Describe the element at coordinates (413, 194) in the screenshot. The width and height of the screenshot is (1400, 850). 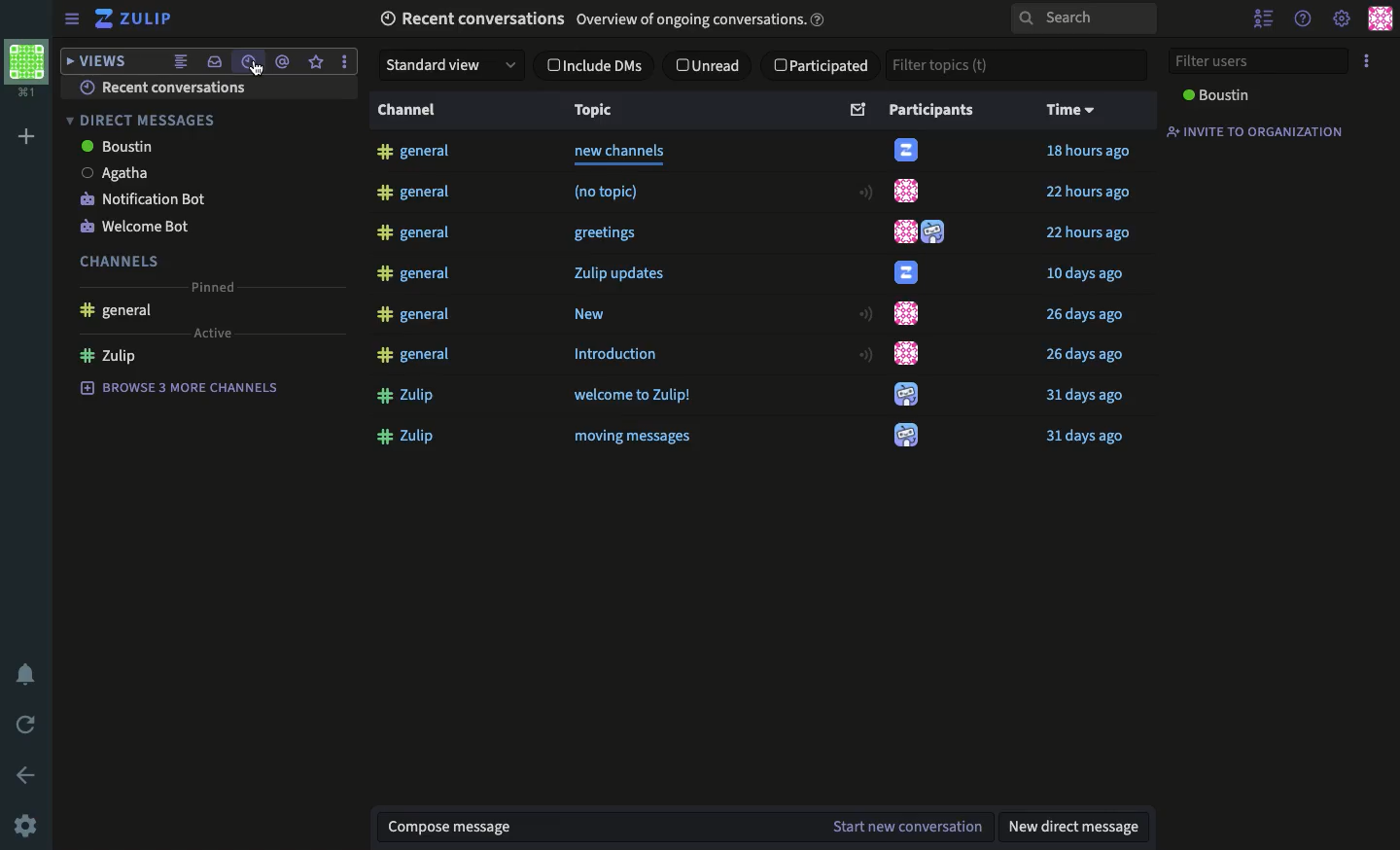
I see `general` at that location.